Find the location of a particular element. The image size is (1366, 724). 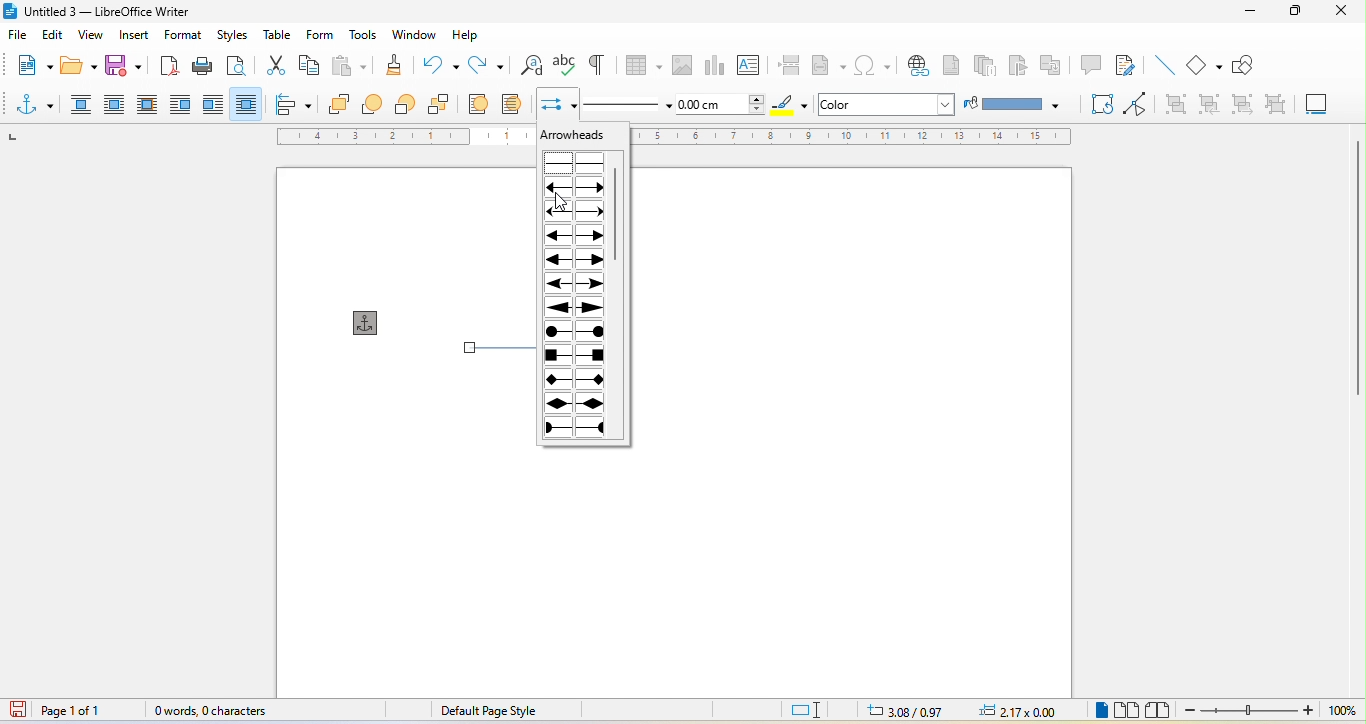

chart is located at coordinates (714, 64).